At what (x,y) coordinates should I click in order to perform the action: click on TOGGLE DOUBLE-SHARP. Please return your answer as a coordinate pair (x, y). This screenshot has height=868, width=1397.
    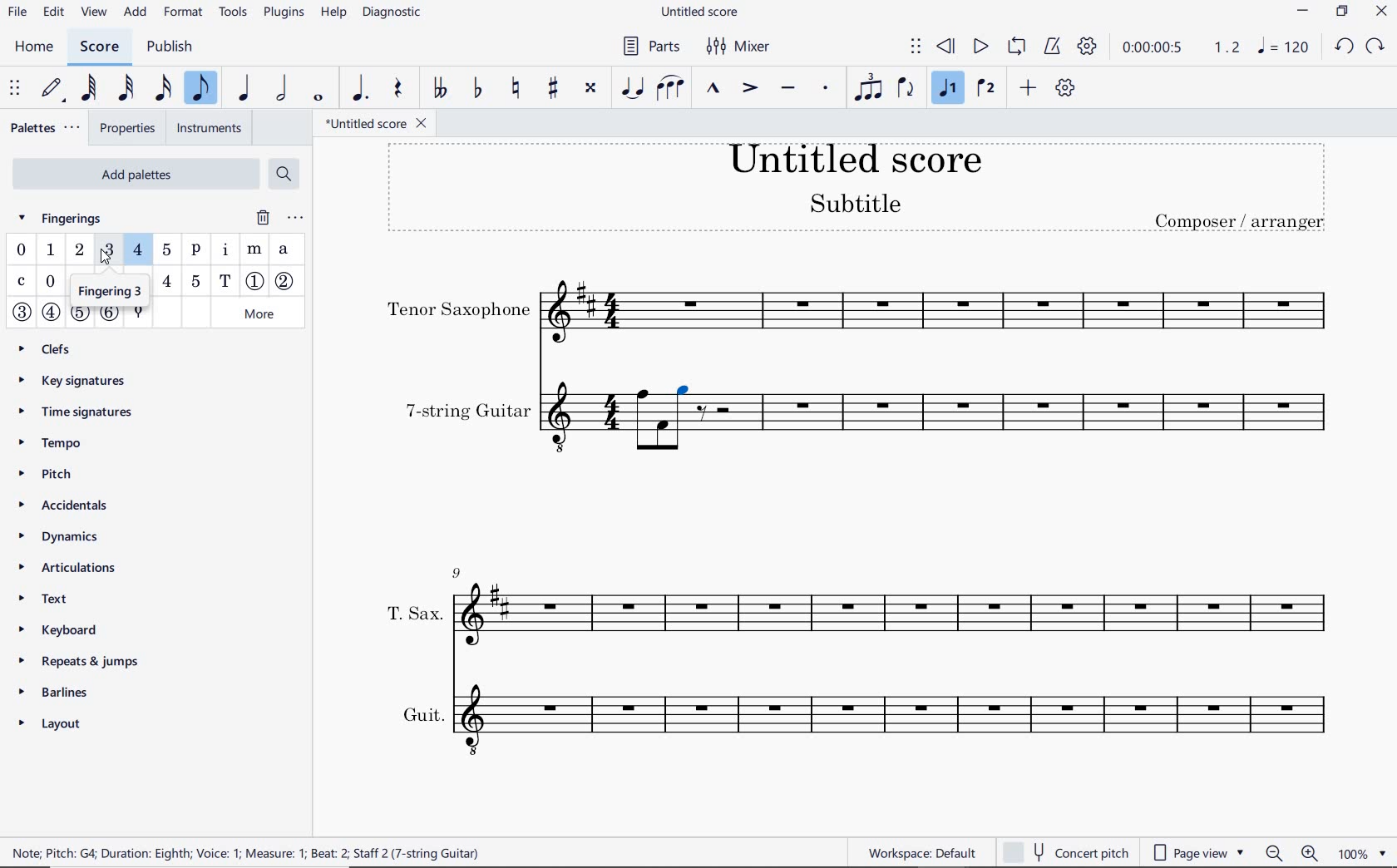
    Looking at the image, I should click on (592, 87).